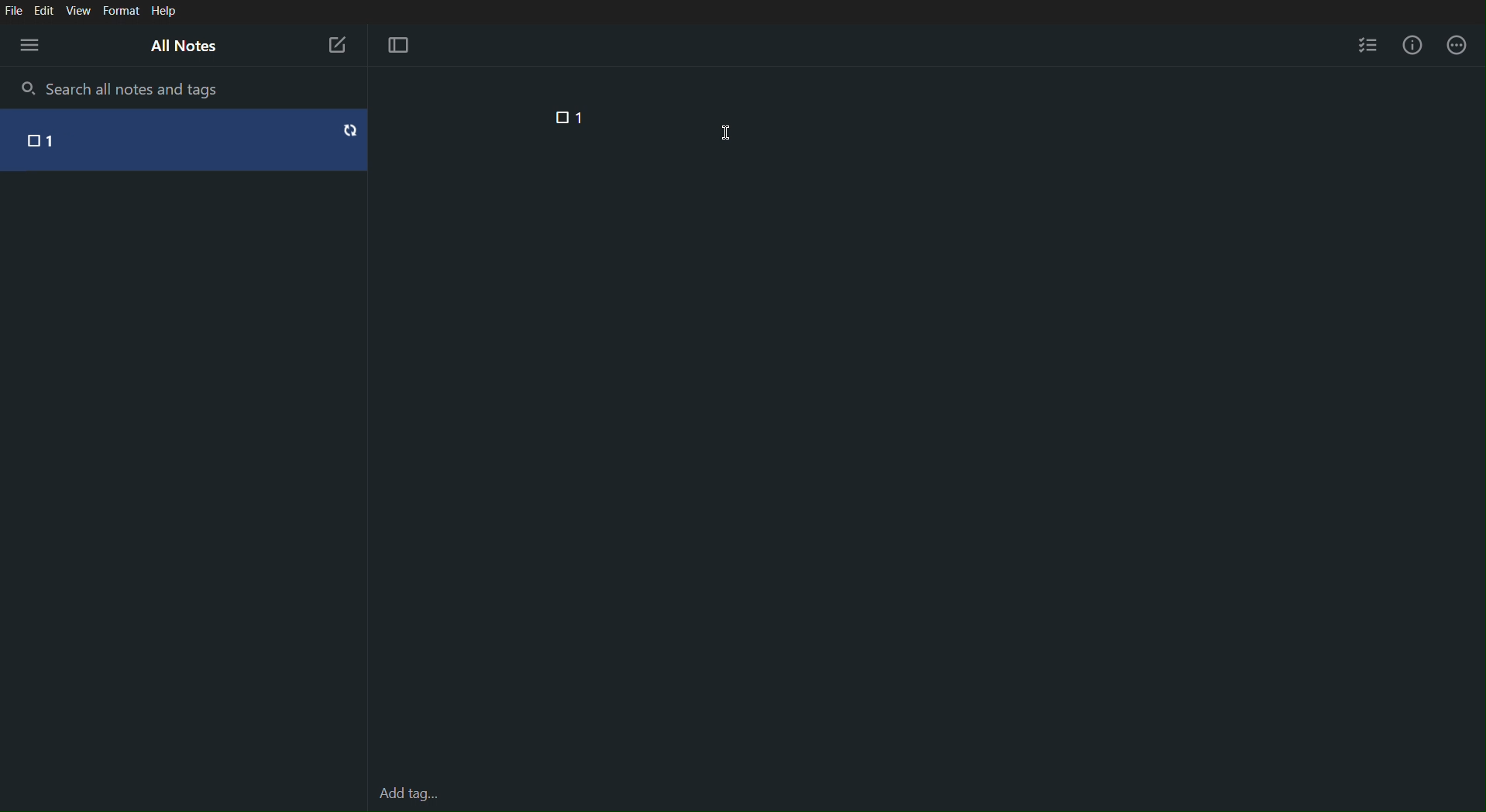  I want to click on Focus Mode, so click(397, 46).